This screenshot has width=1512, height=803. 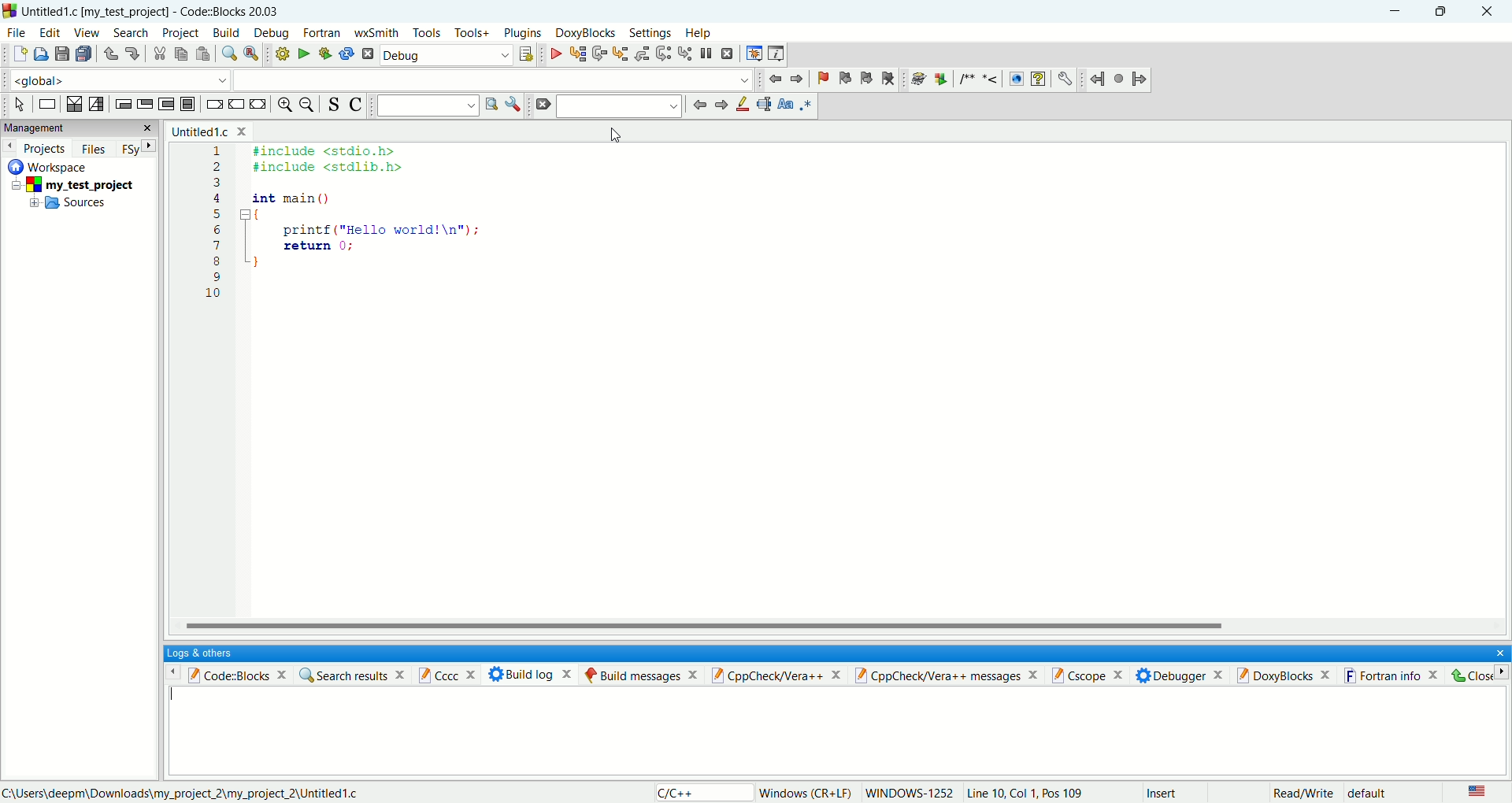 What do you see at coordinates (75, 103) in the screenshot?
I see `decision` at bounding box center [75, 103].